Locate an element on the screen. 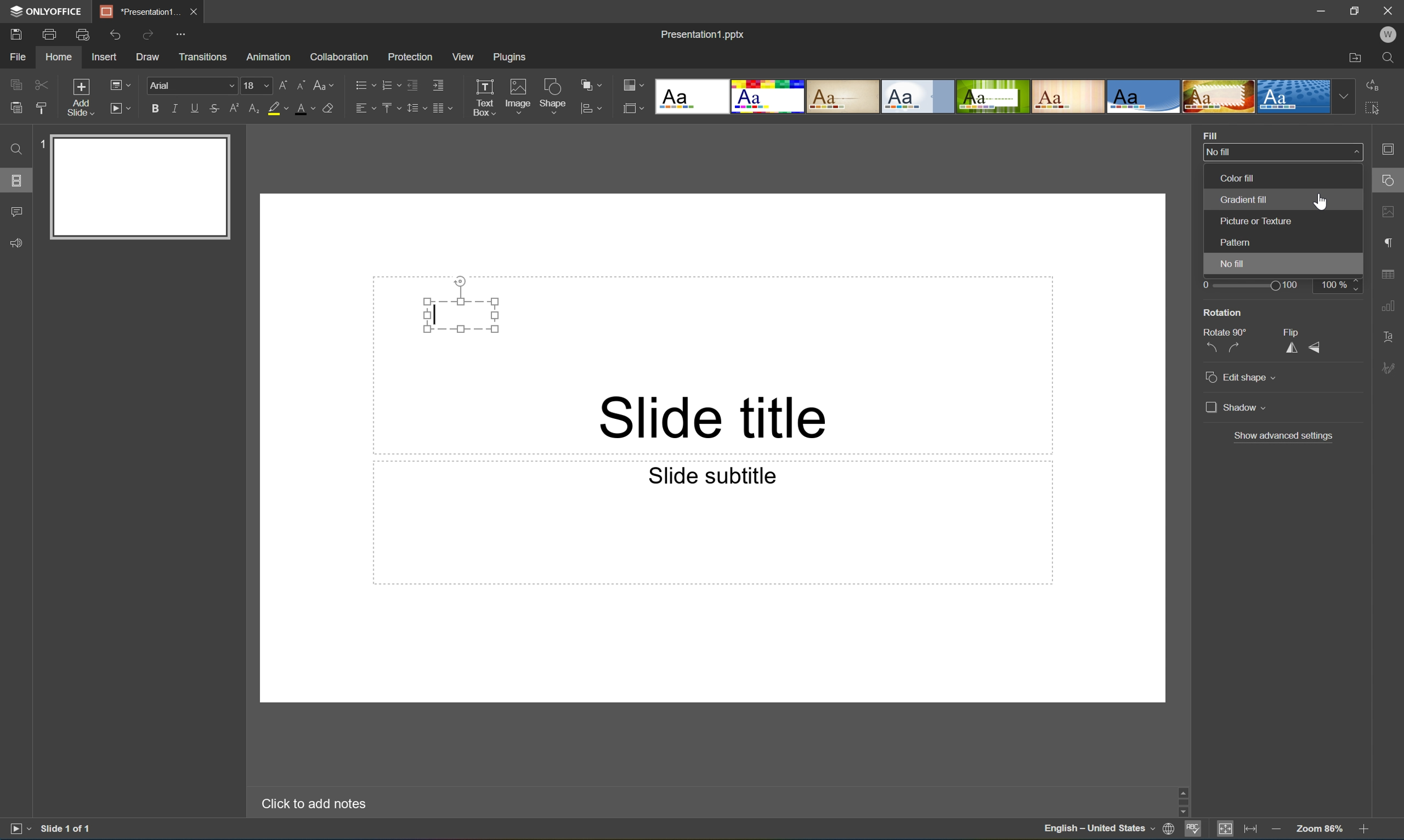  Minimize is located at coordinates (1325, 11).